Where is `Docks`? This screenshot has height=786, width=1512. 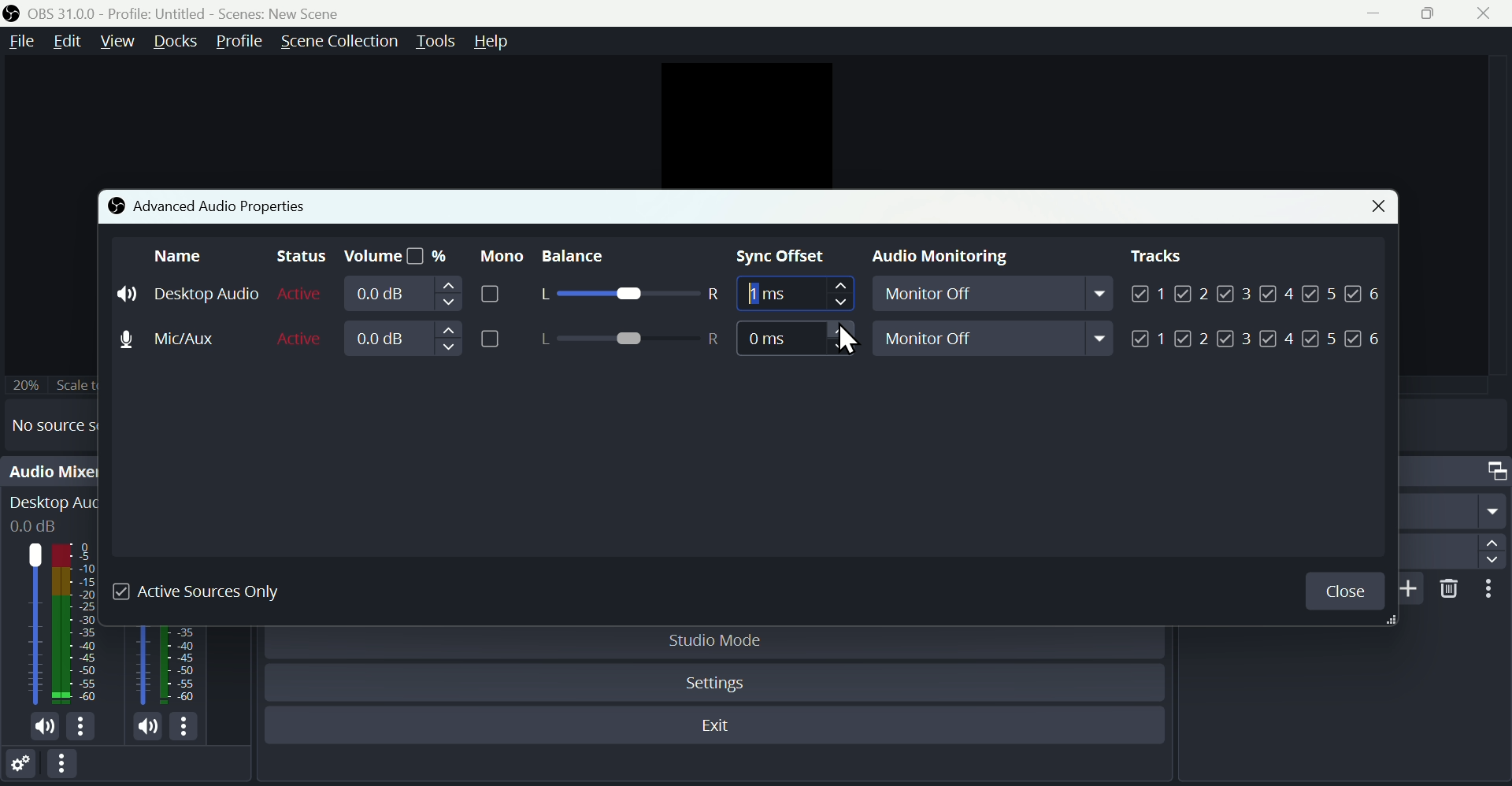
Docks is located at coordinates (176, 42).